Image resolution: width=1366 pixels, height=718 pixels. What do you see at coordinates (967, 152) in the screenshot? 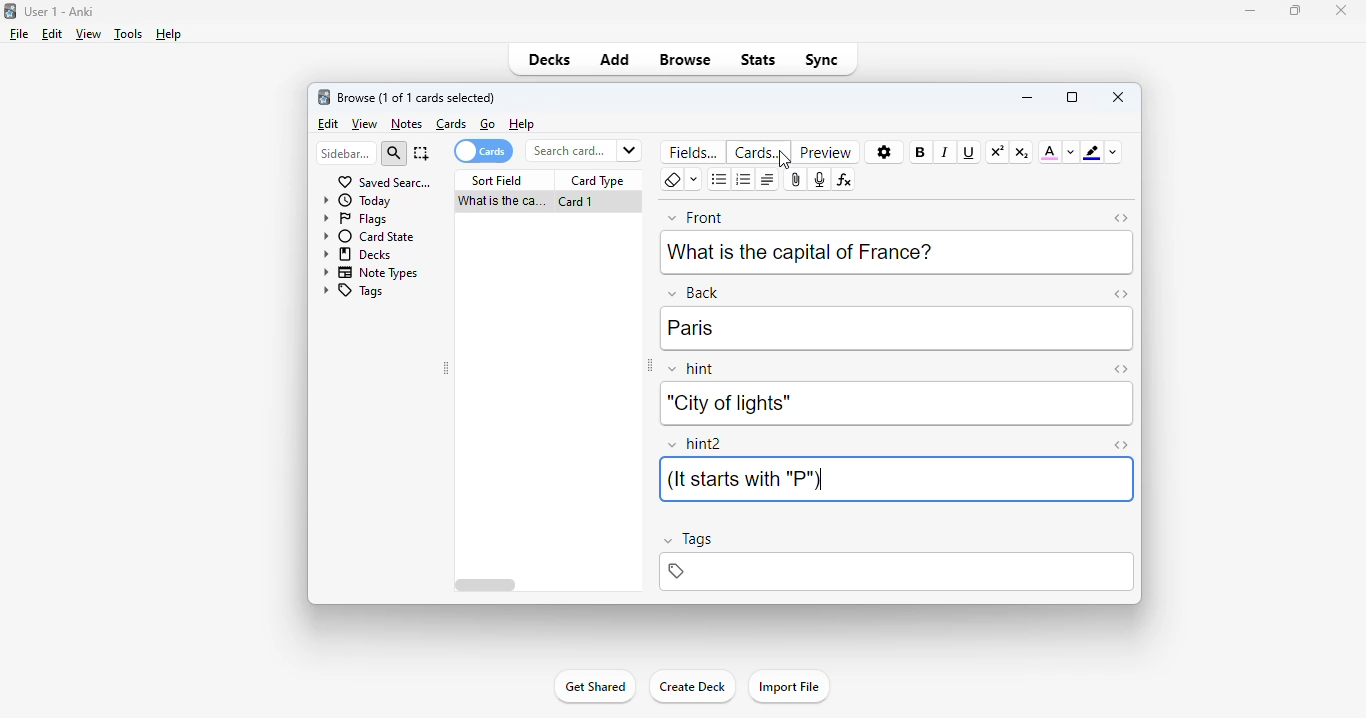
I see `underline` at bounding box center [967, 152].